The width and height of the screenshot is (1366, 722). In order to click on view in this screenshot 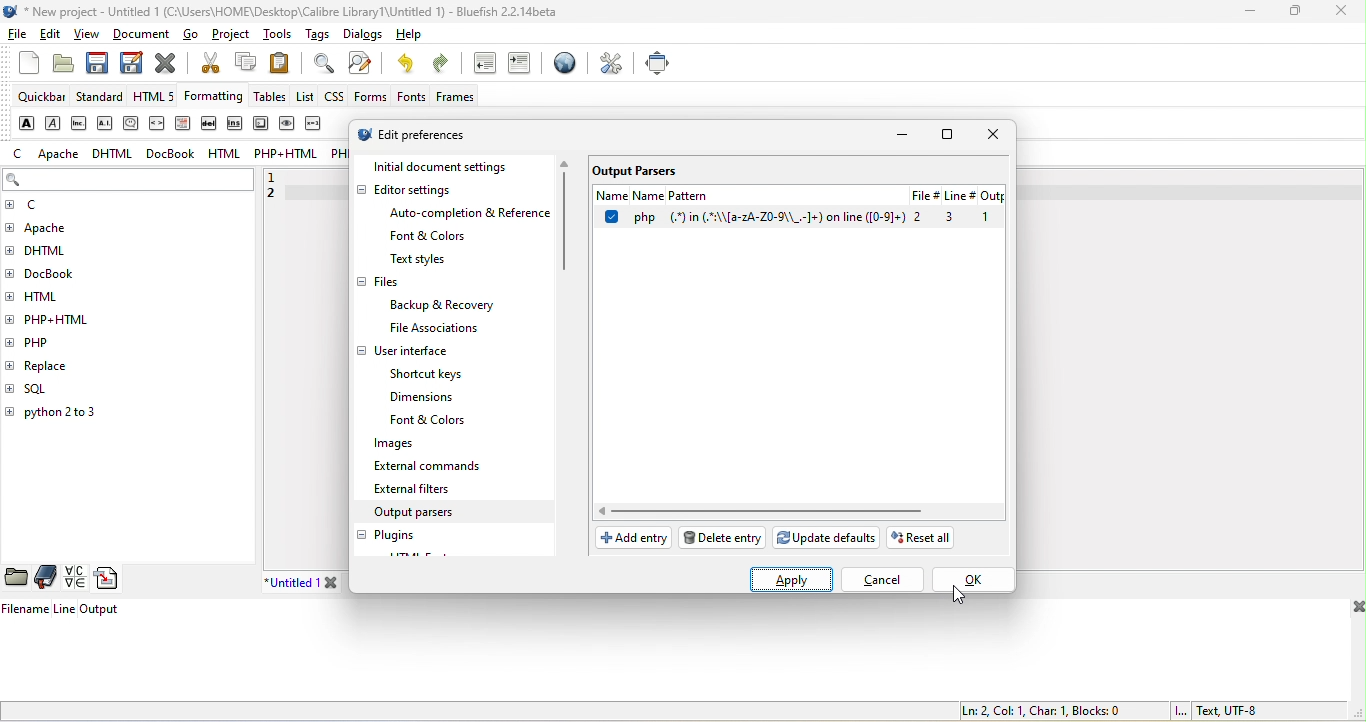, I will do `click(91, 36)`.